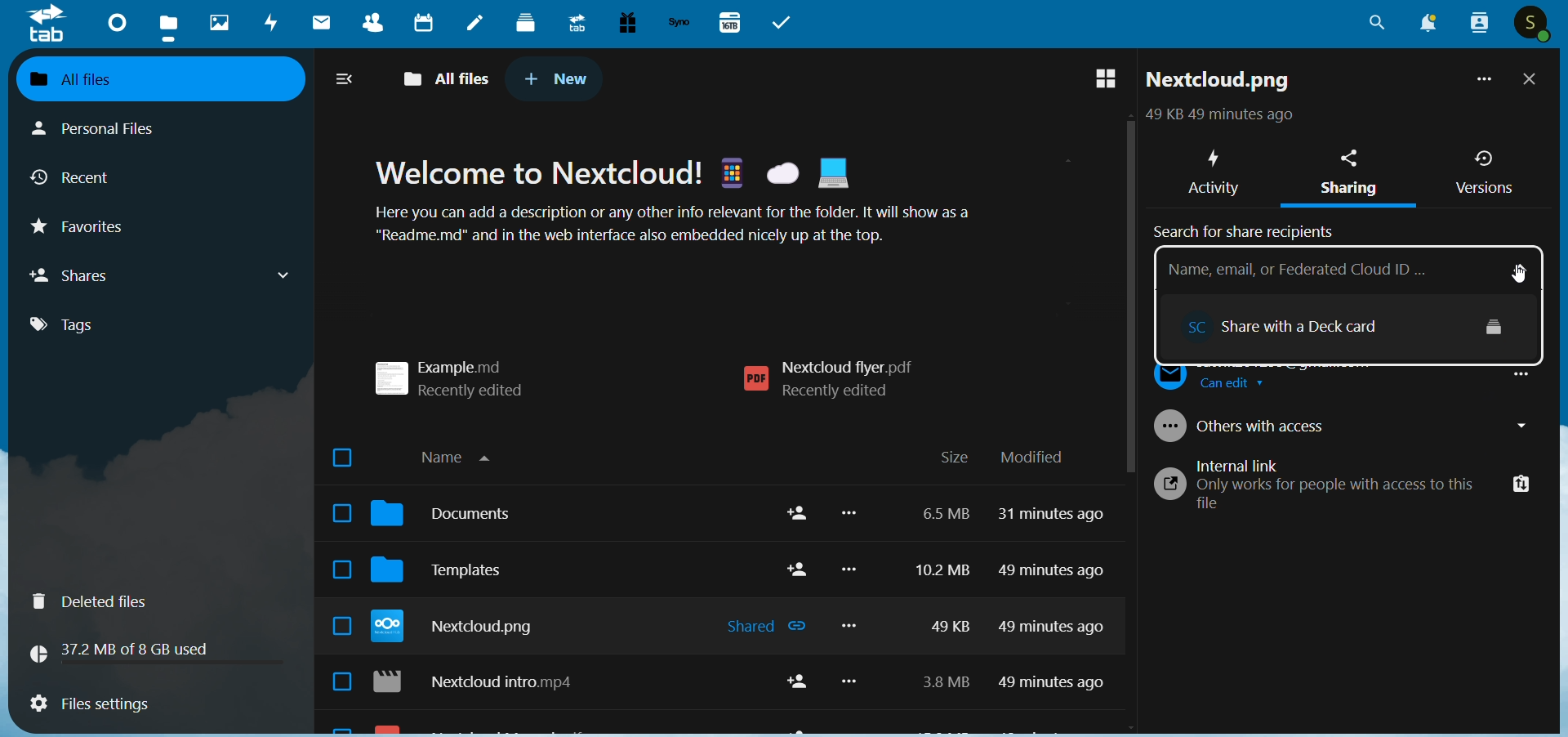  I want to click on sharing, so click(1354, 176).